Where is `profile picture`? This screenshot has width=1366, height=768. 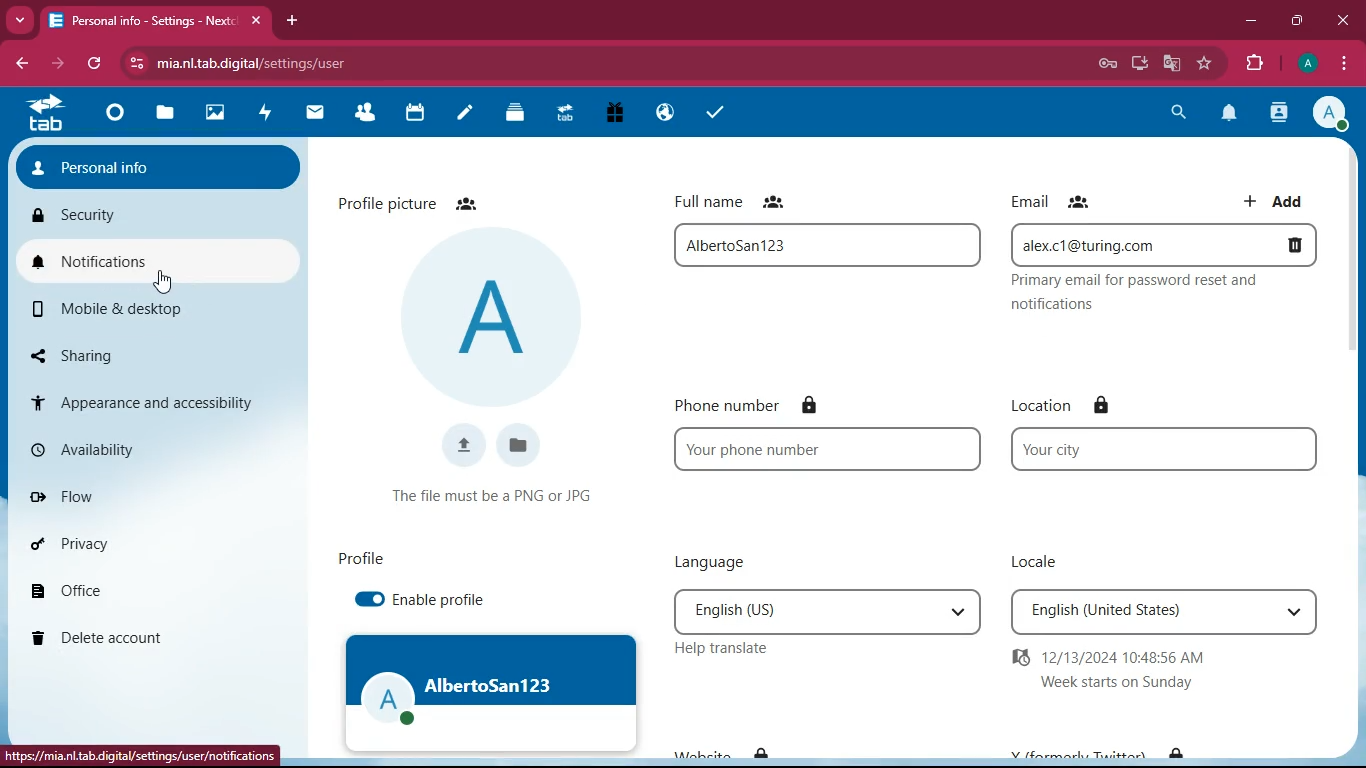
profile picture is located at coordinates (388, 203).